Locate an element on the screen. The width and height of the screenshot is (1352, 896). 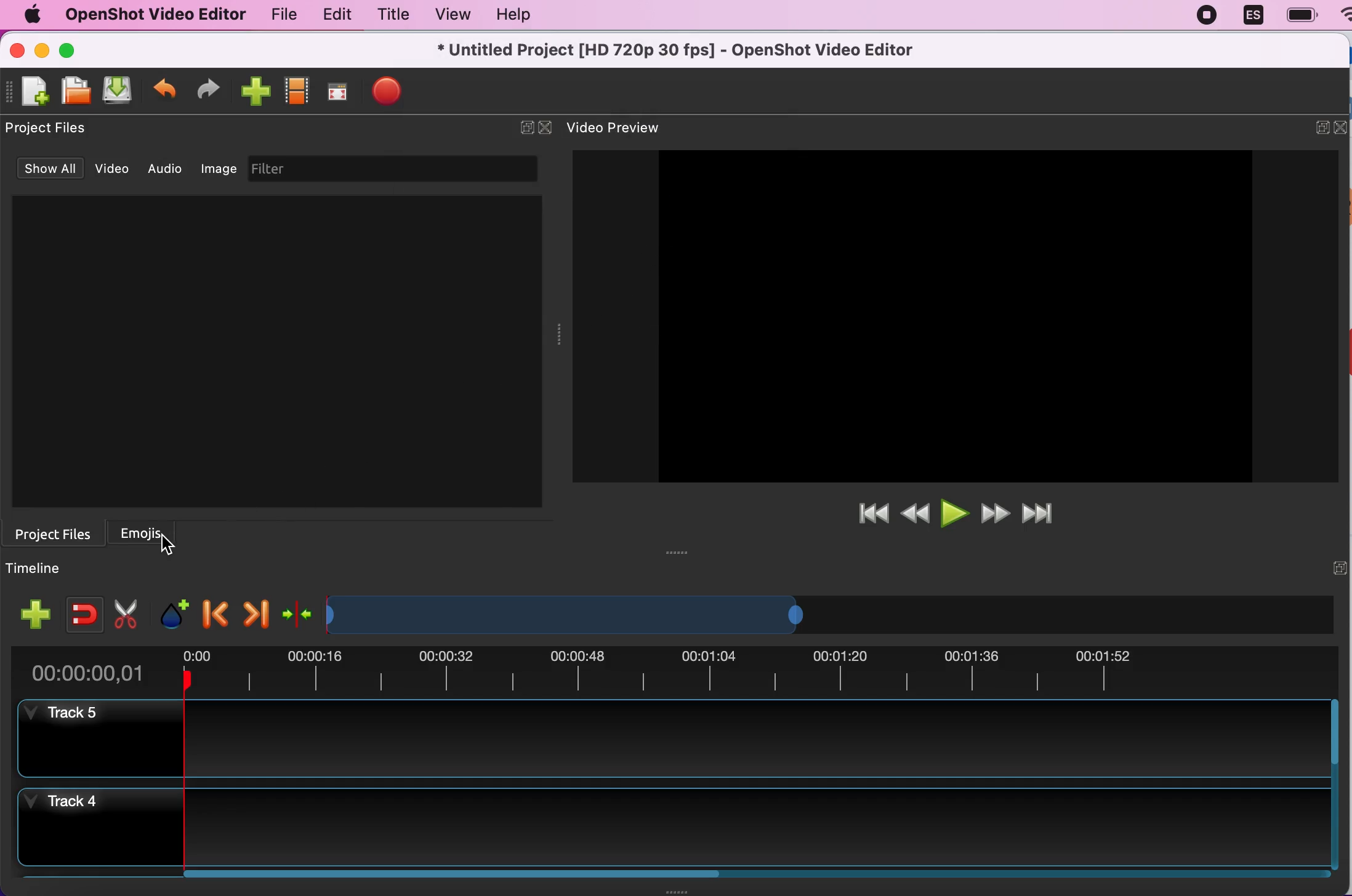
choose profiles is located at coordinates (297, 91).